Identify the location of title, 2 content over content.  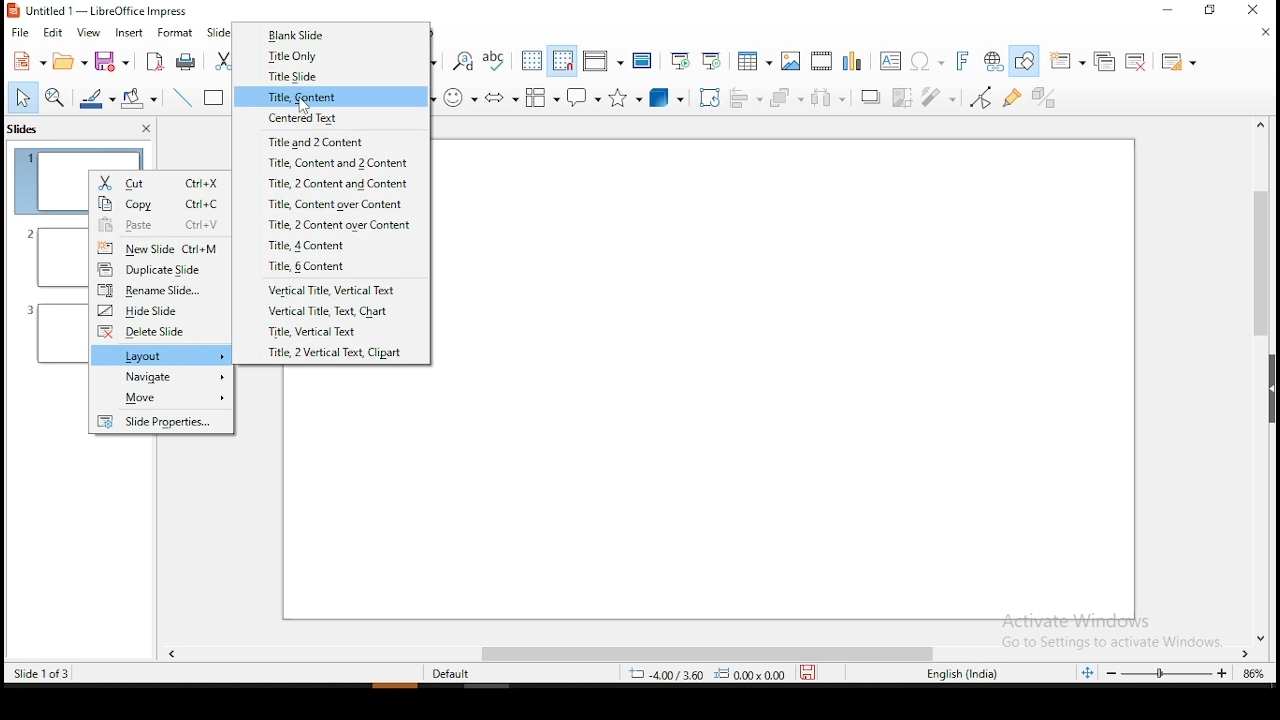
(329, 222).